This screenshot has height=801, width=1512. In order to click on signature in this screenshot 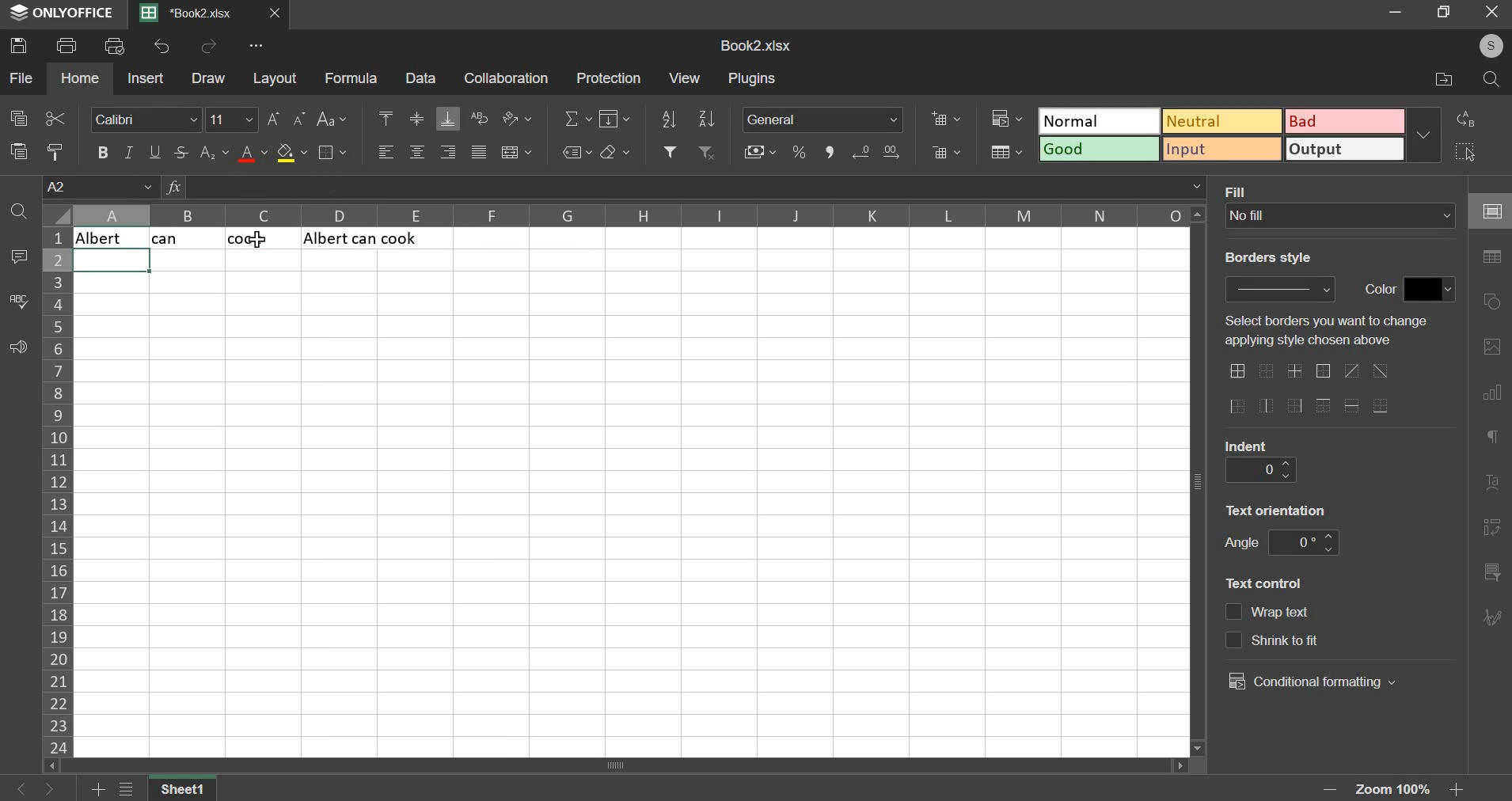, I will do `click(1491, 617)`.